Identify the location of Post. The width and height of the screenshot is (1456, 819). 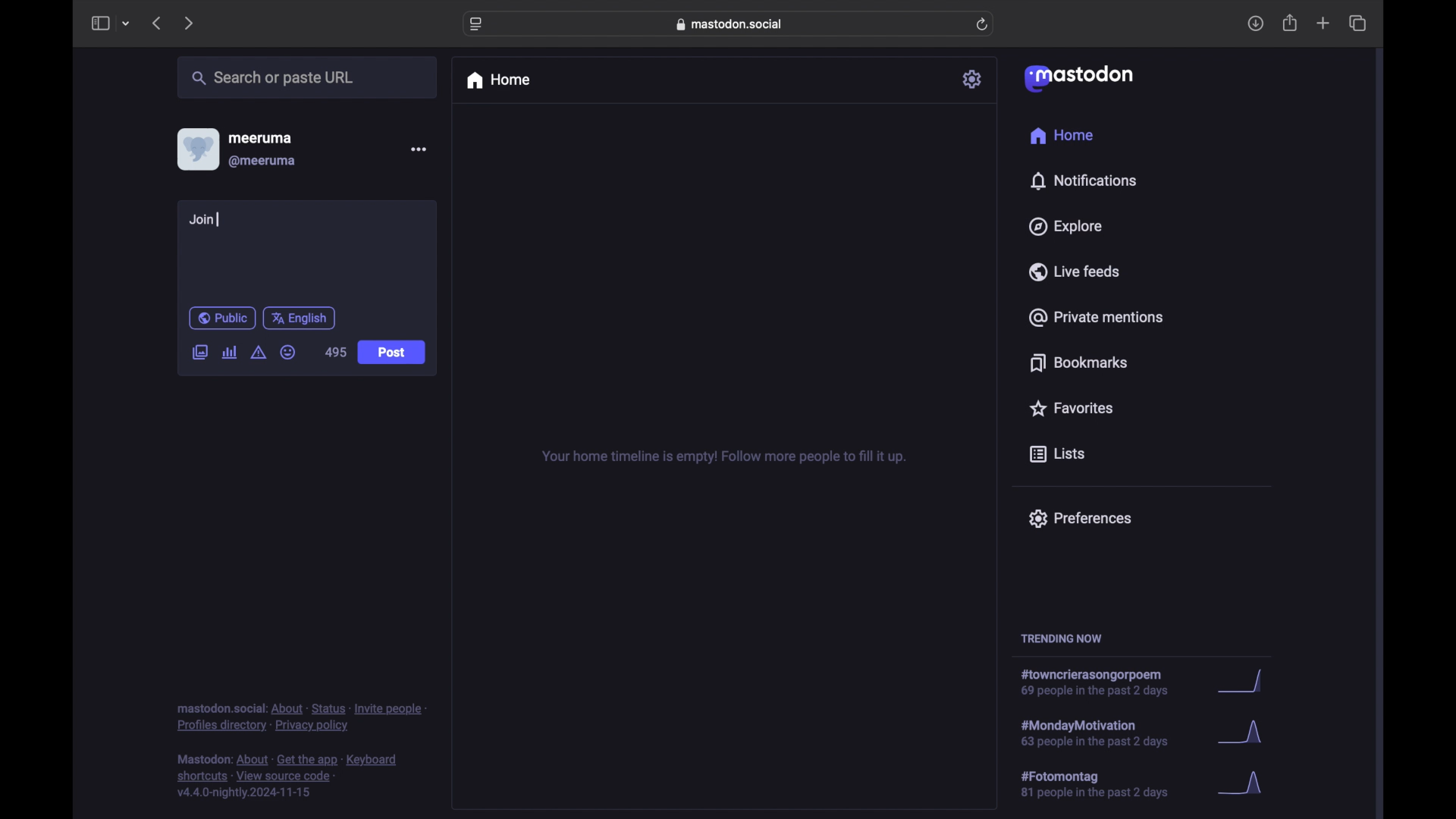
(394, 354).